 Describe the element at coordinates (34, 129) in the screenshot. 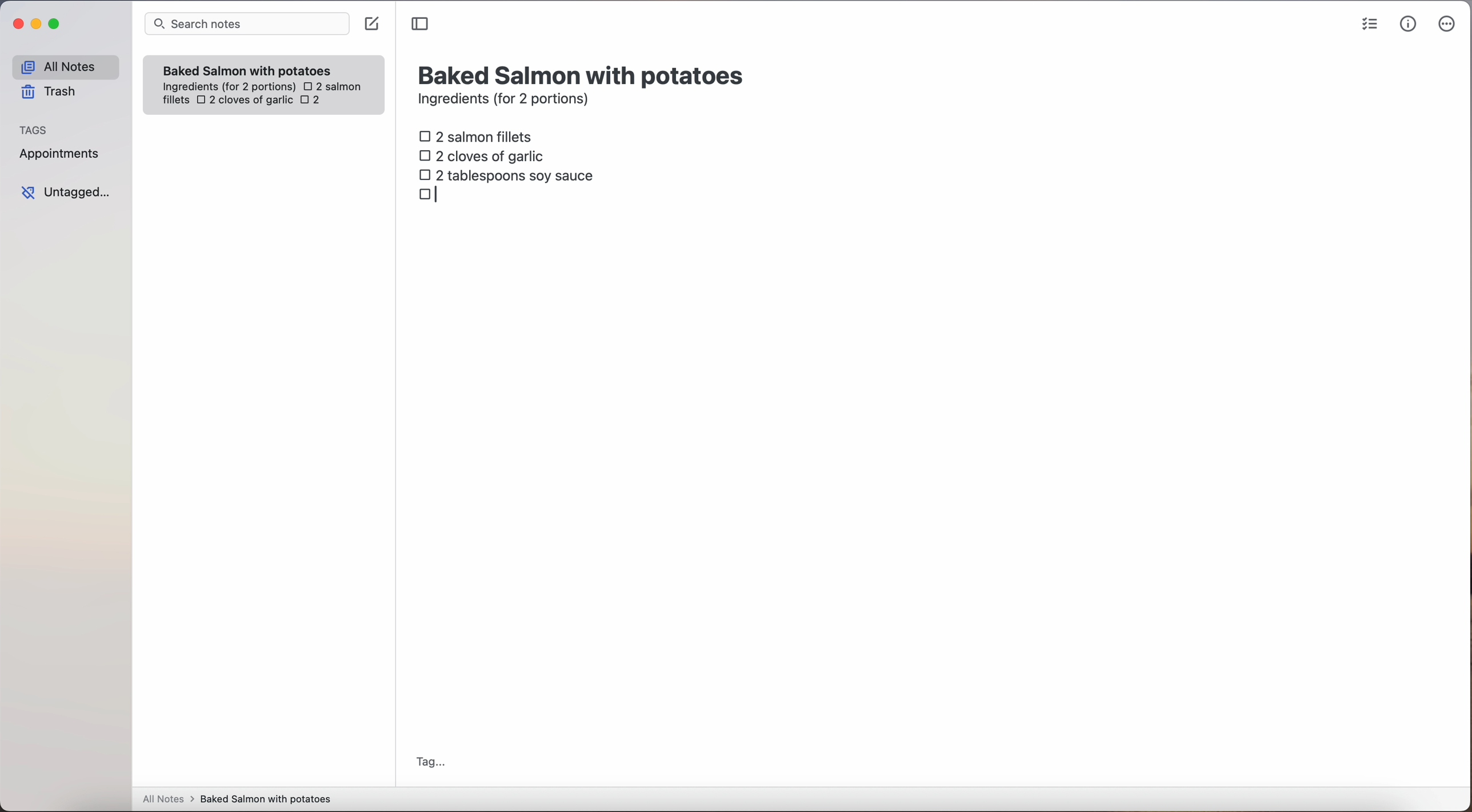

I see `tags` at that location.